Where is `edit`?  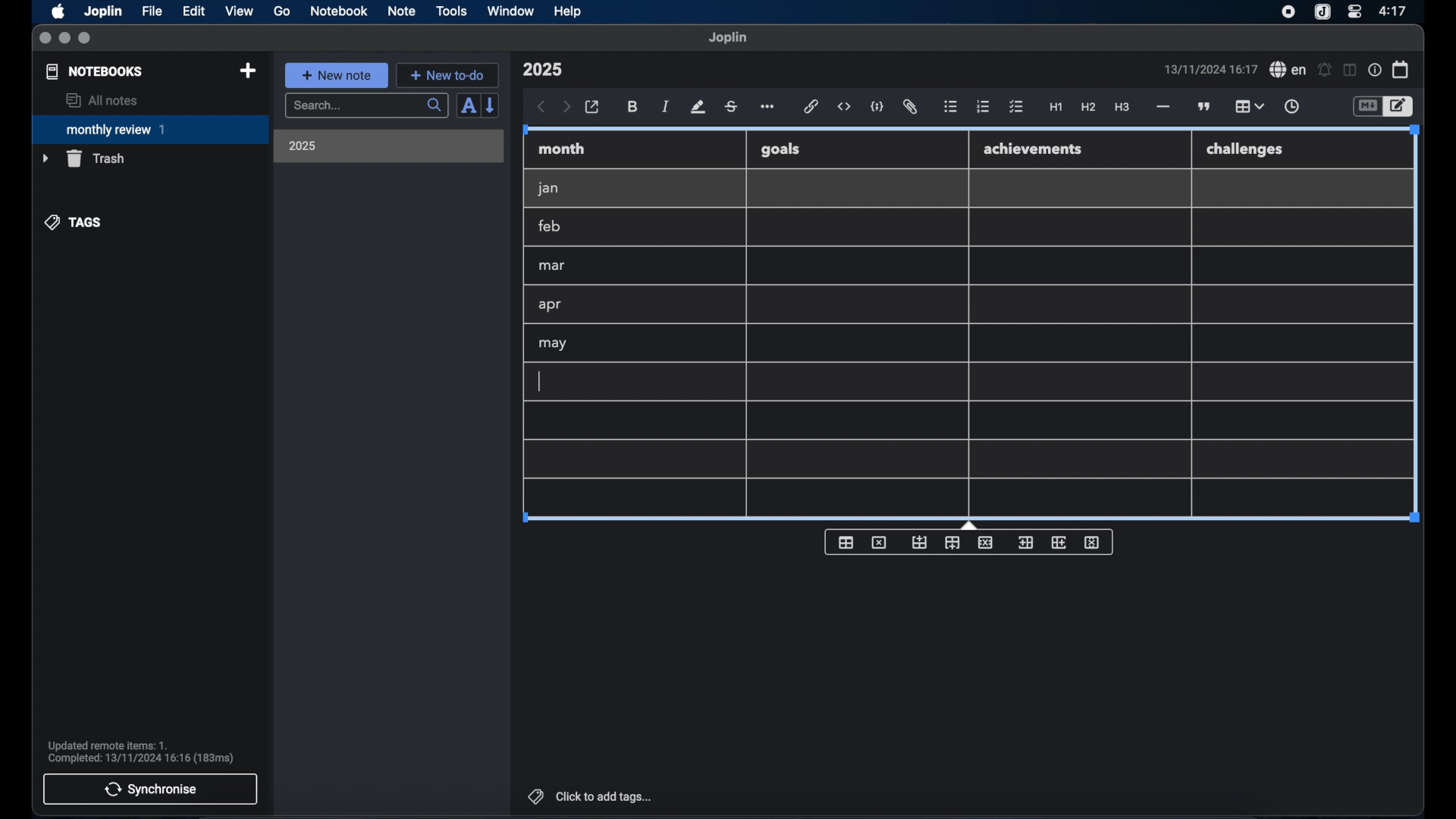 edit is located at coordinates (195, 11).